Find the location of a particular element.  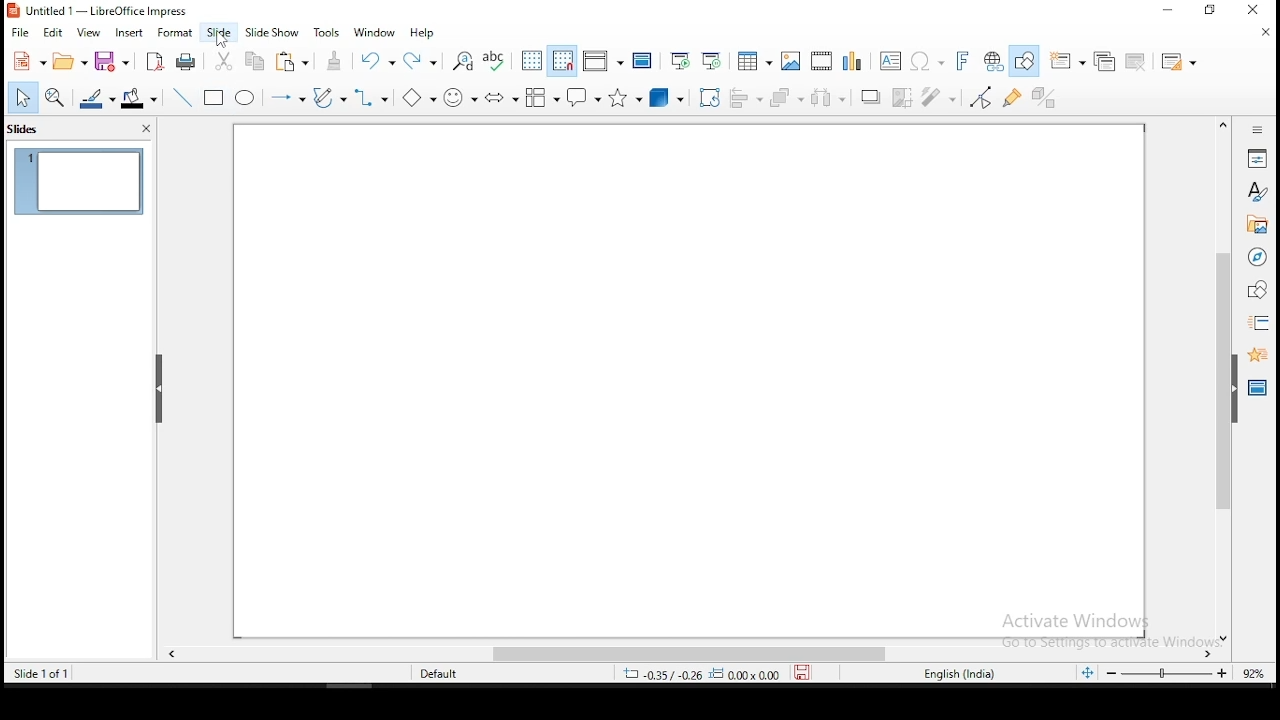

callout shapes is located at coordinates (583, 97).